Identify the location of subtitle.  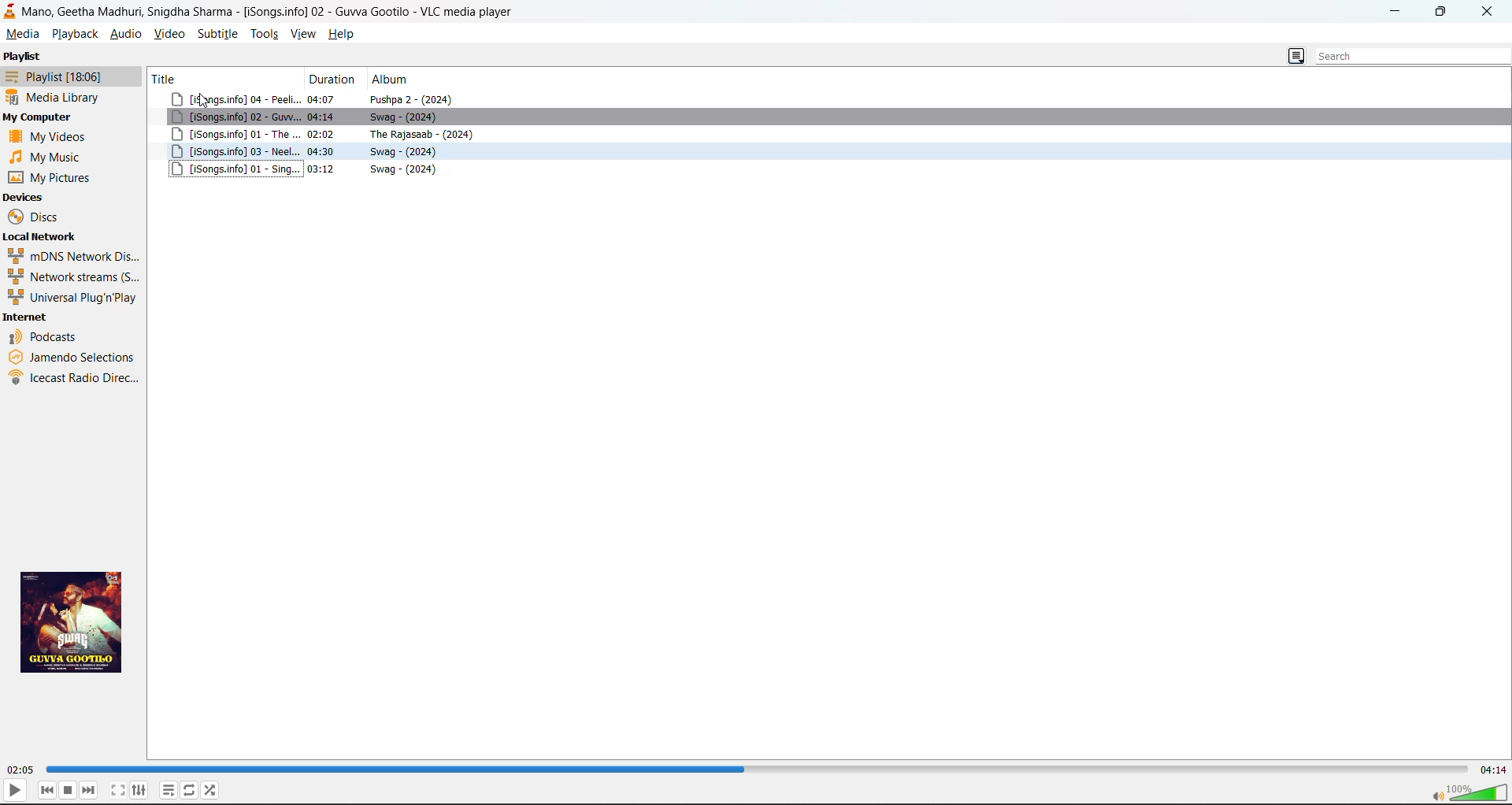
(216, 33).